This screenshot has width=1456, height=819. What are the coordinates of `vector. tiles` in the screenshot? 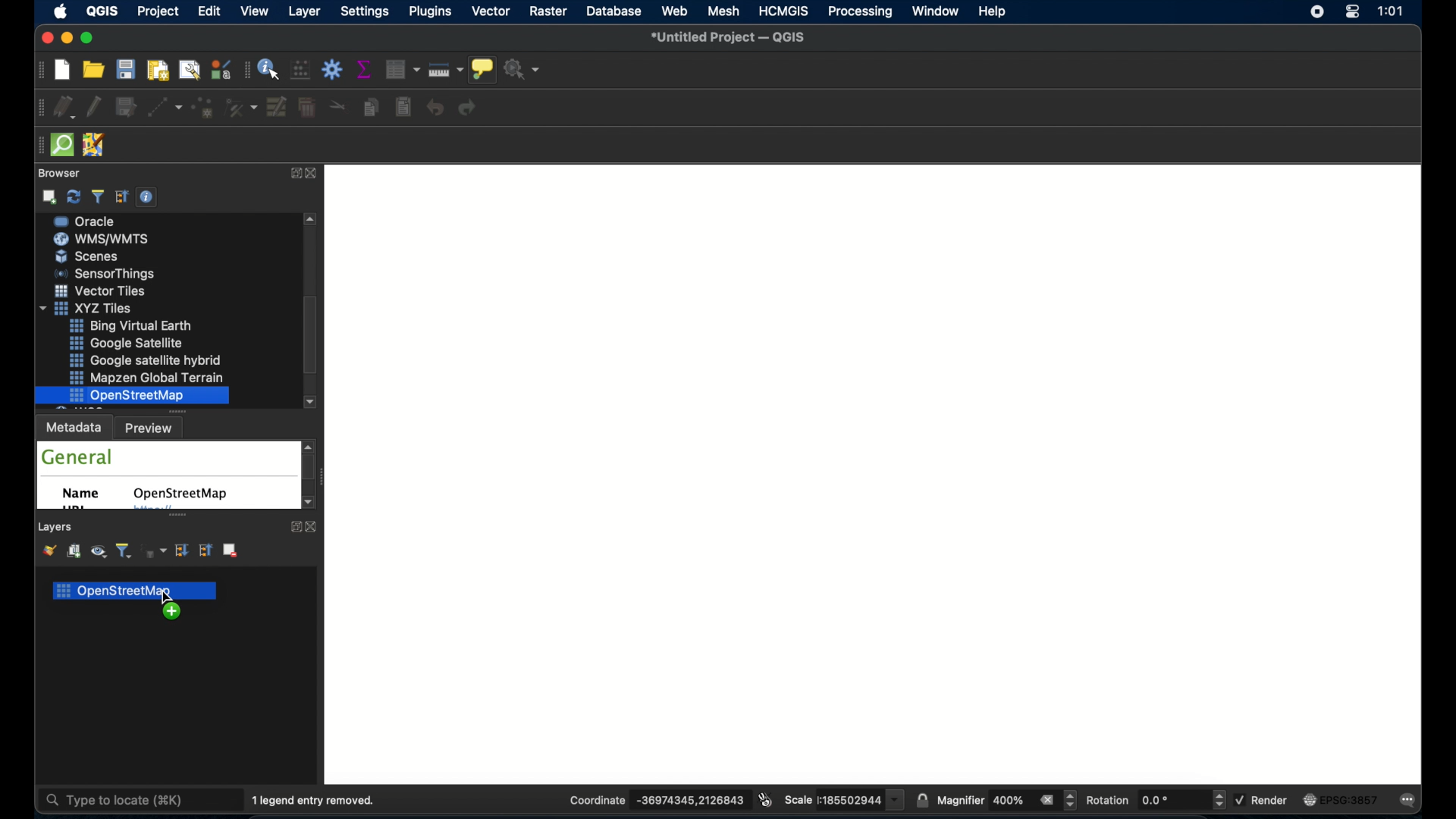 It's located at (143, 343).